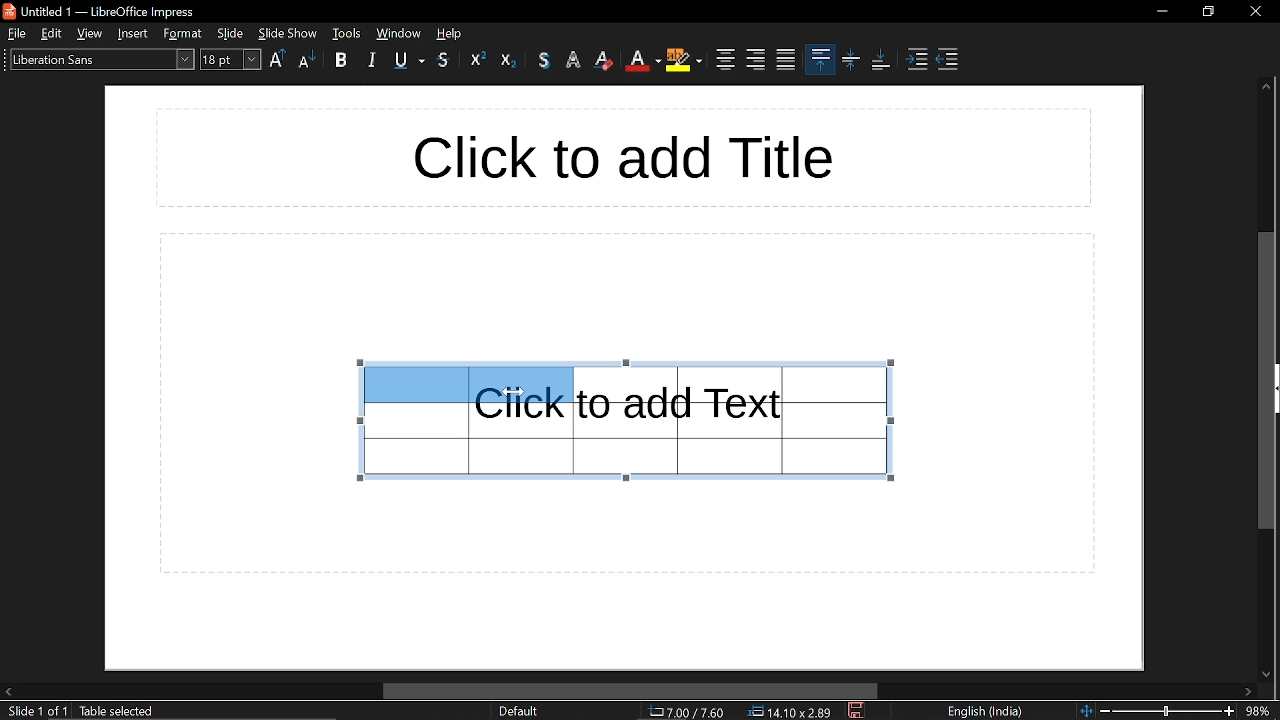 Image resolution: width=1280 pixels, height=720 pixels. Describe the element at coordinates (1162, 11) in the screenshot. I see `minimize` at that location.